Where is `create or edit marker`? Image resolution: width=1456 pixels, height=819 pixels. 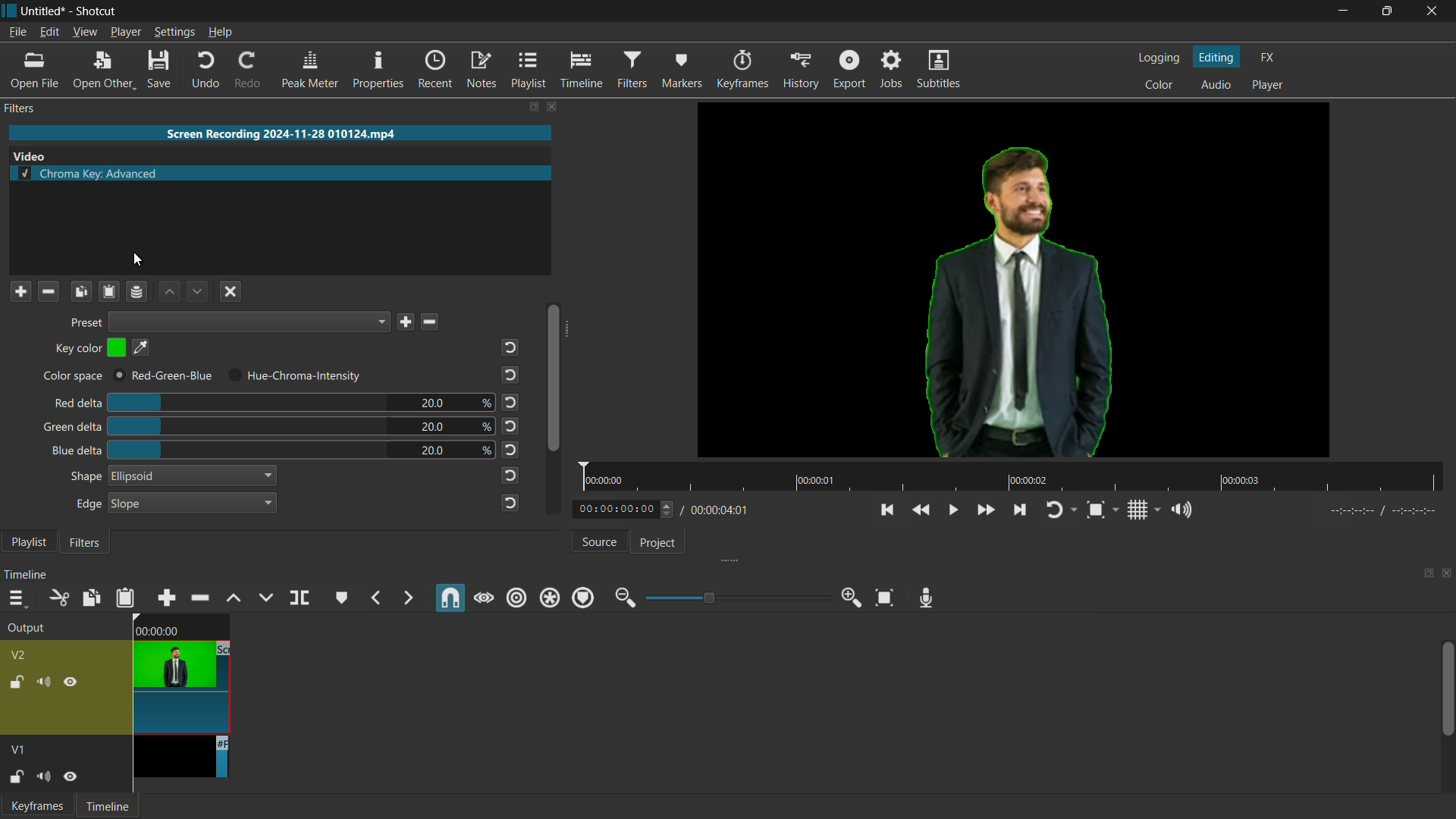 create or edit marker is located at coordinates (340, 599).